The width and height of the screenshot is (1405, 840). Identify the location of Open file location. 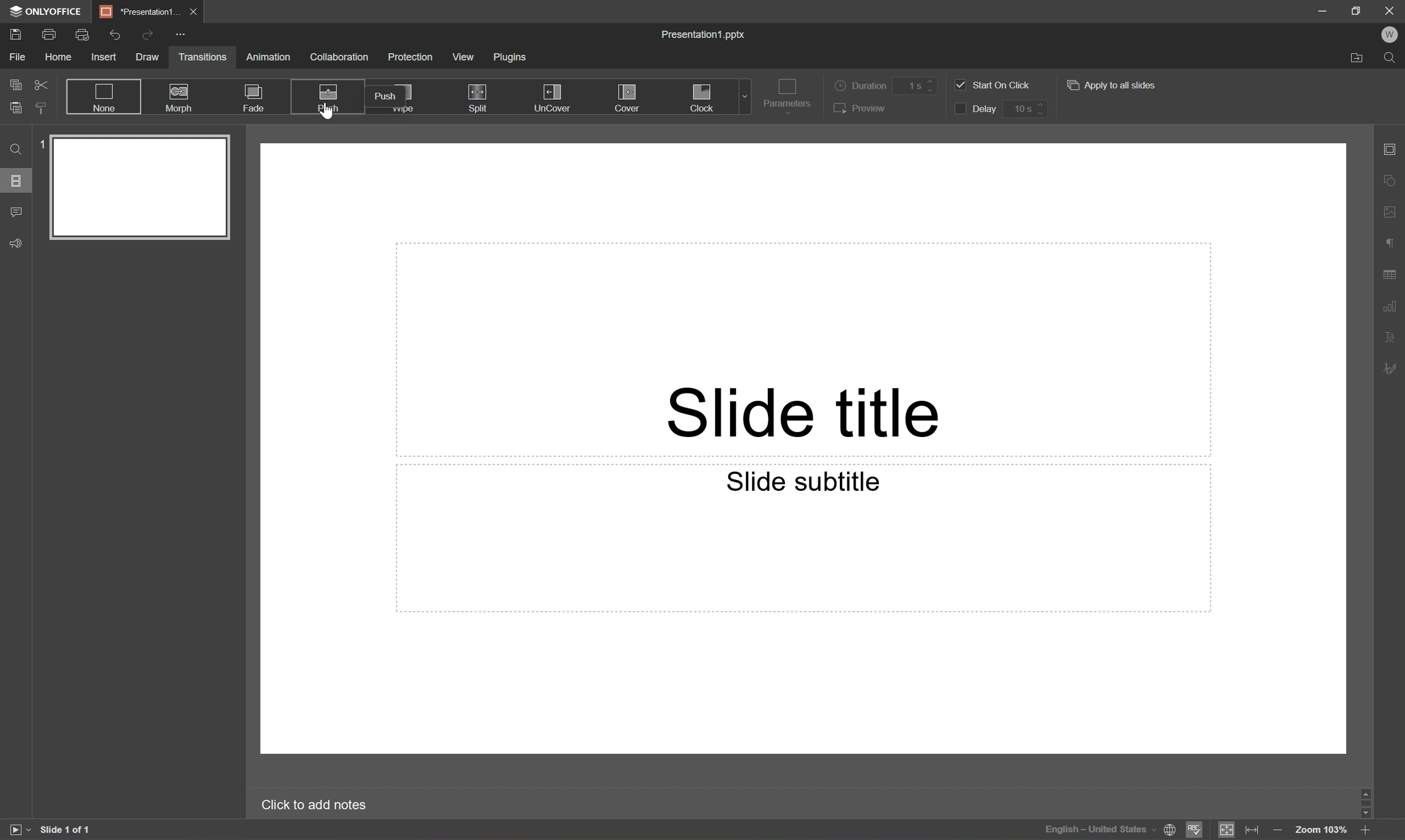
(1357, 58).